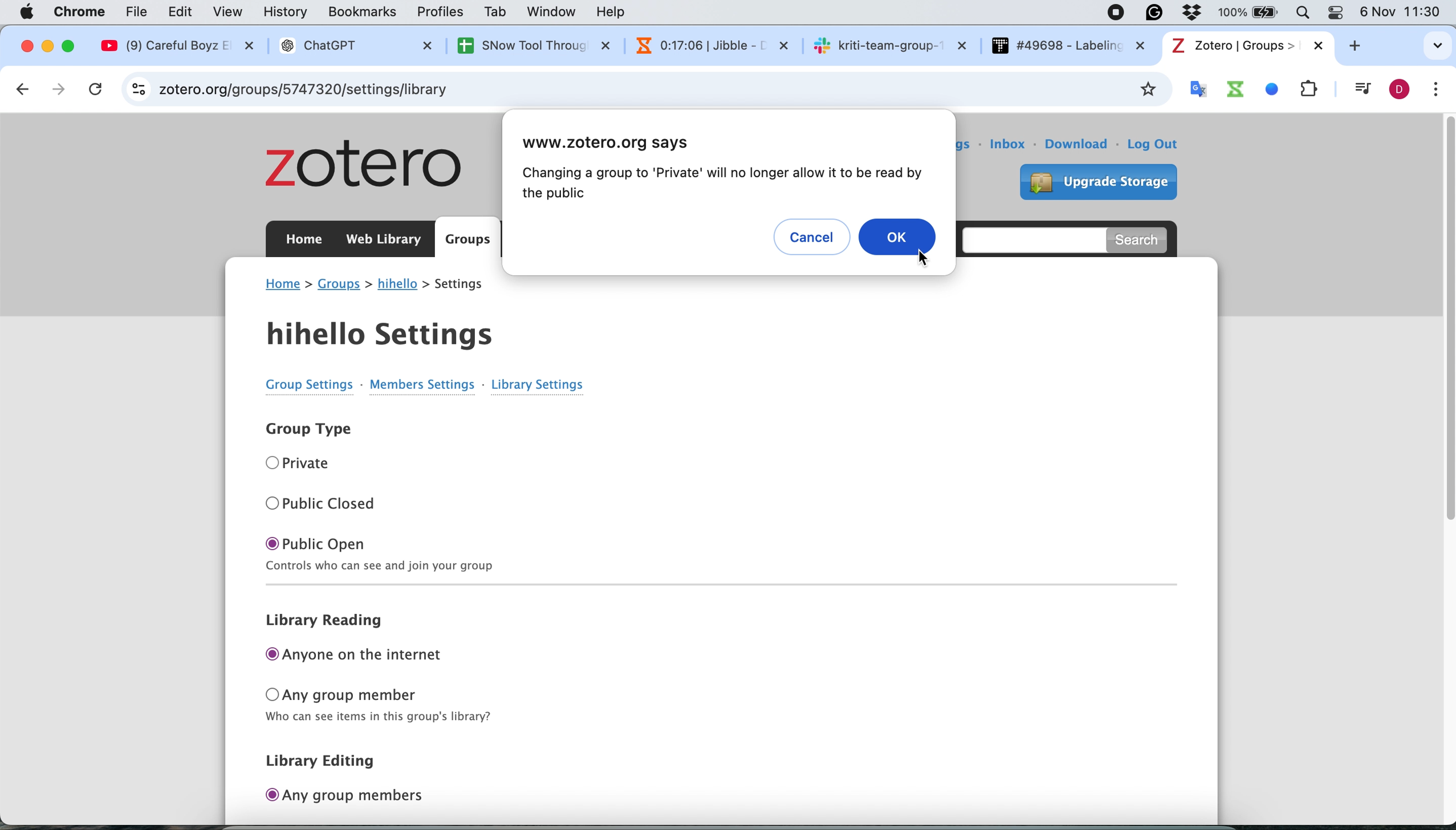 The image size is (1456, 830). Describe the element at coordinates (703, 44) in the screenshot. I see `N 0:16:54 | Jibble - 1 x` at that location.